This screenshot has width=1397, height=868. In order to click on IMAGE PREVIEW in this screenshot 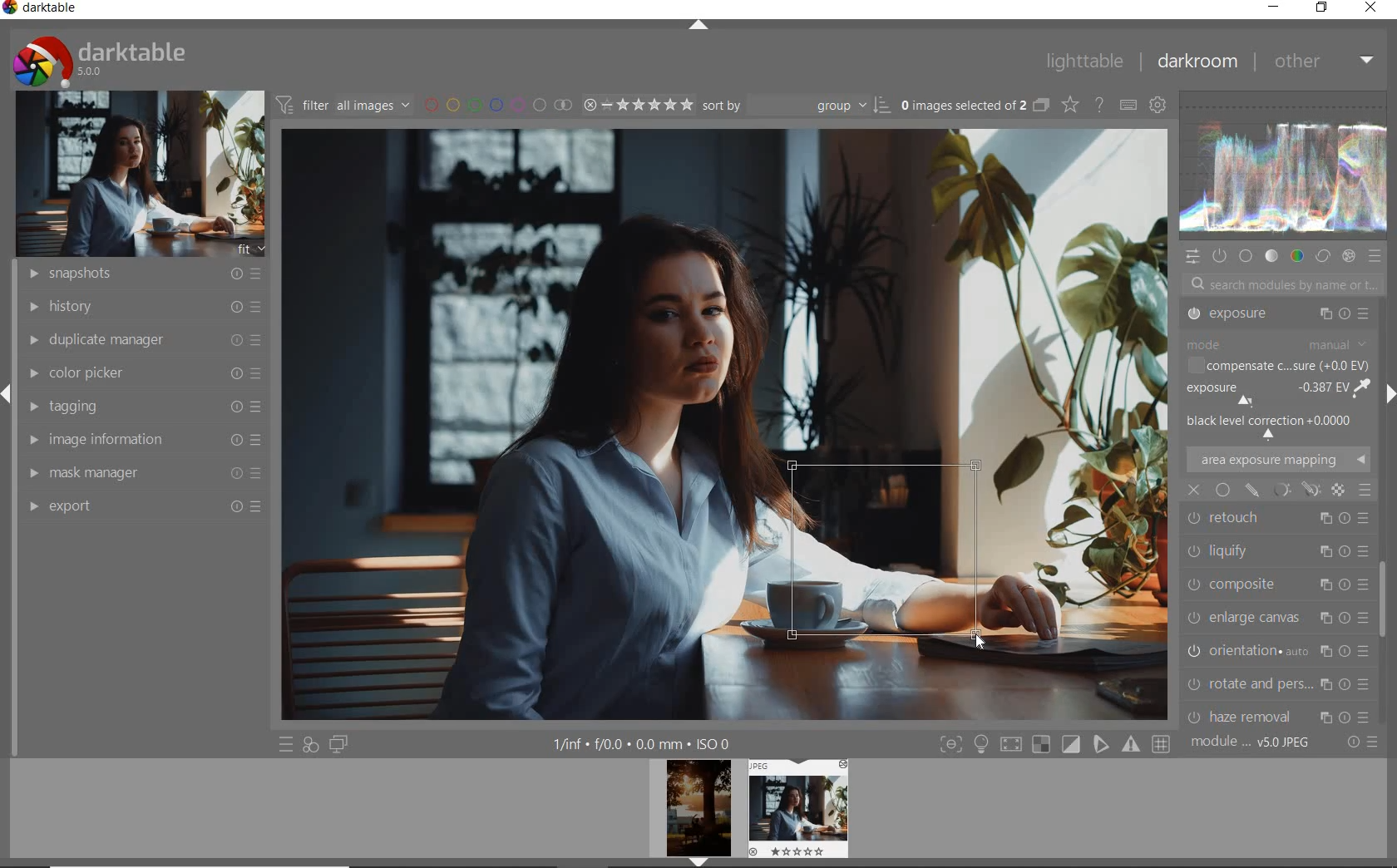, I will do `click(797, 808)`.